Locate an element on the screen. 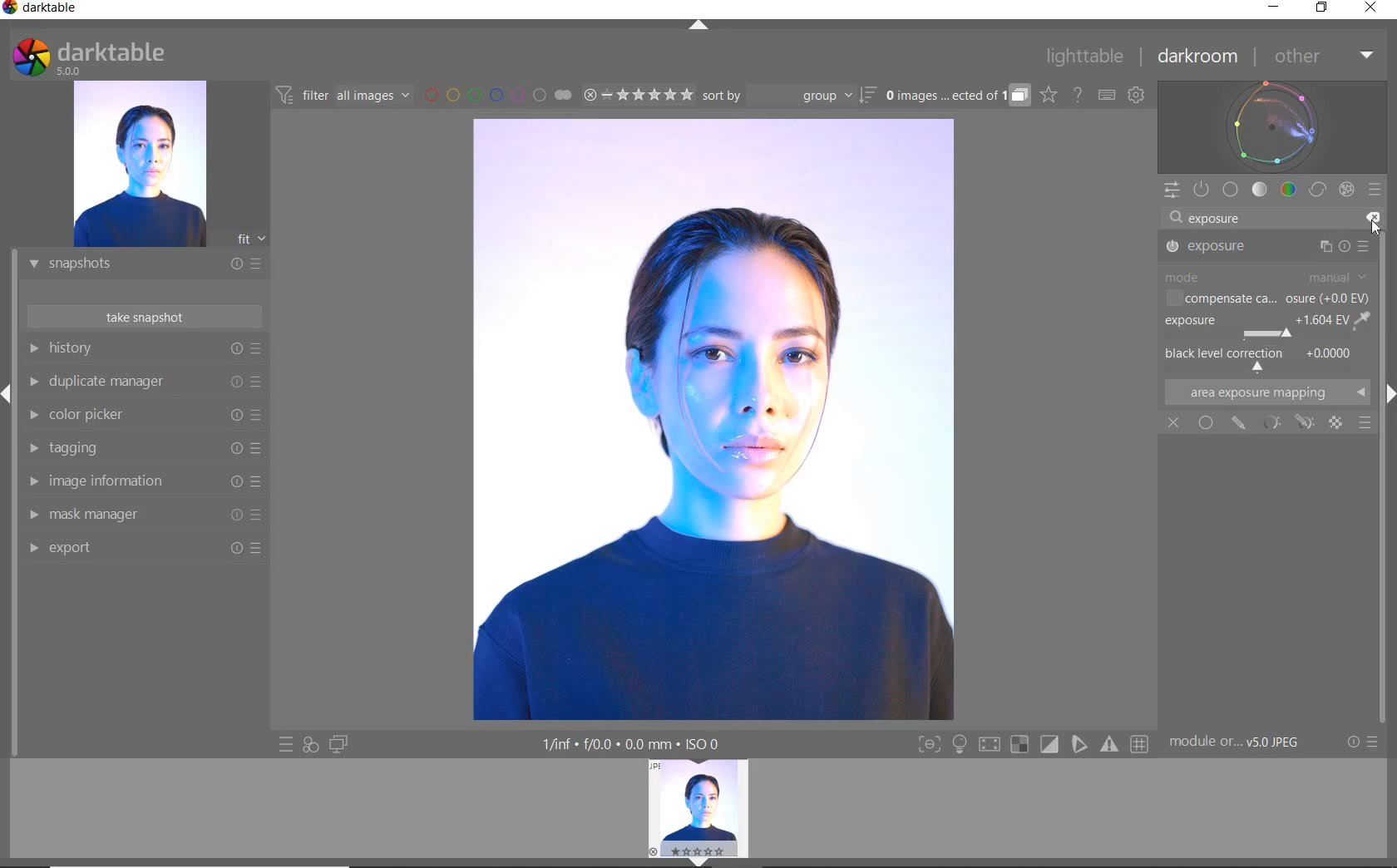 The width and height of the screenshot is (1397, 868). INPUT VALUE is located at coordinates (1217, 220).